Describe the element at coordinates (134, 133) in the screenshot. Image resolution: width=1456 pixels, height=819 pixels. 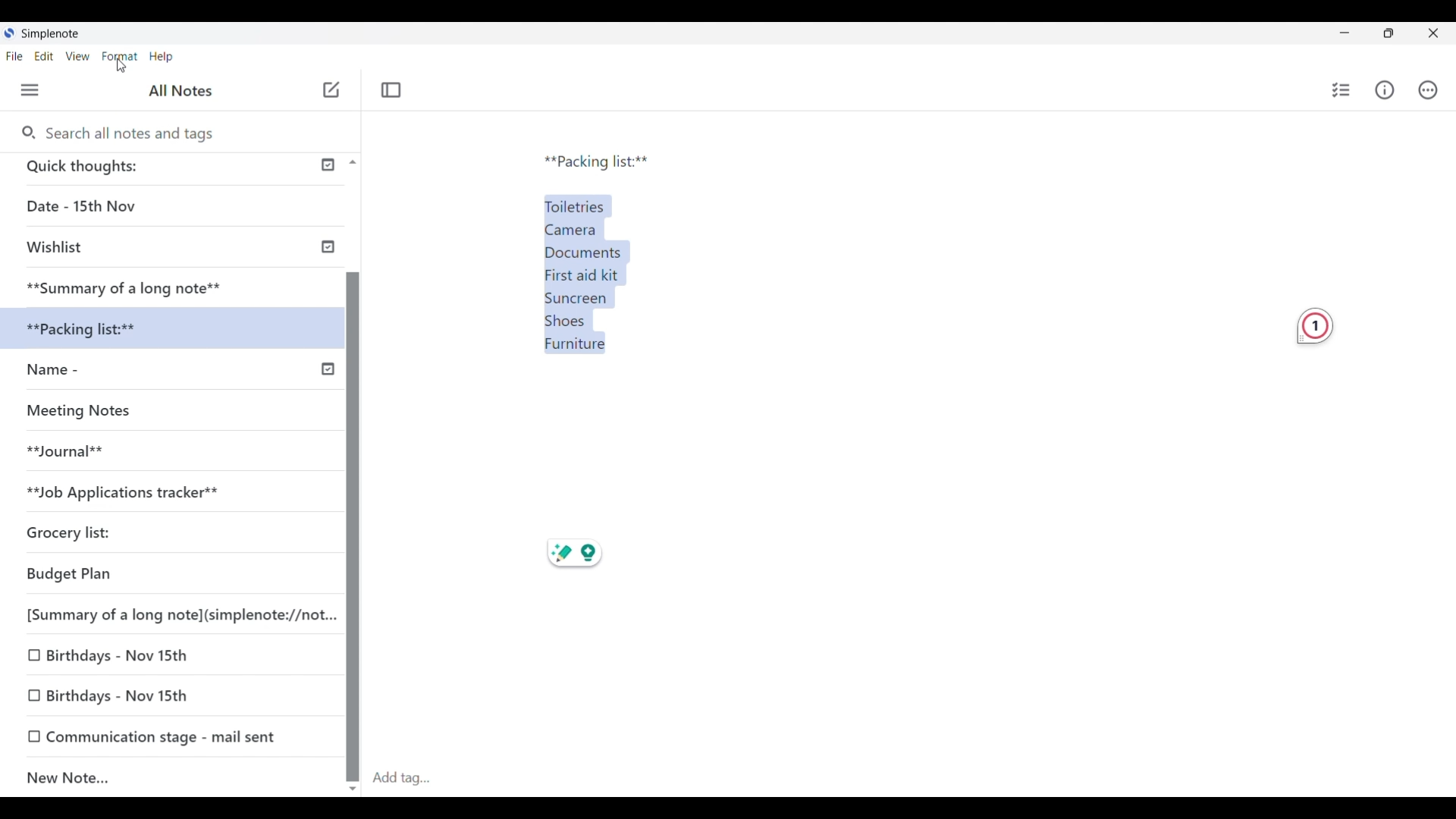
I see `Search all notes and tags` at that location.